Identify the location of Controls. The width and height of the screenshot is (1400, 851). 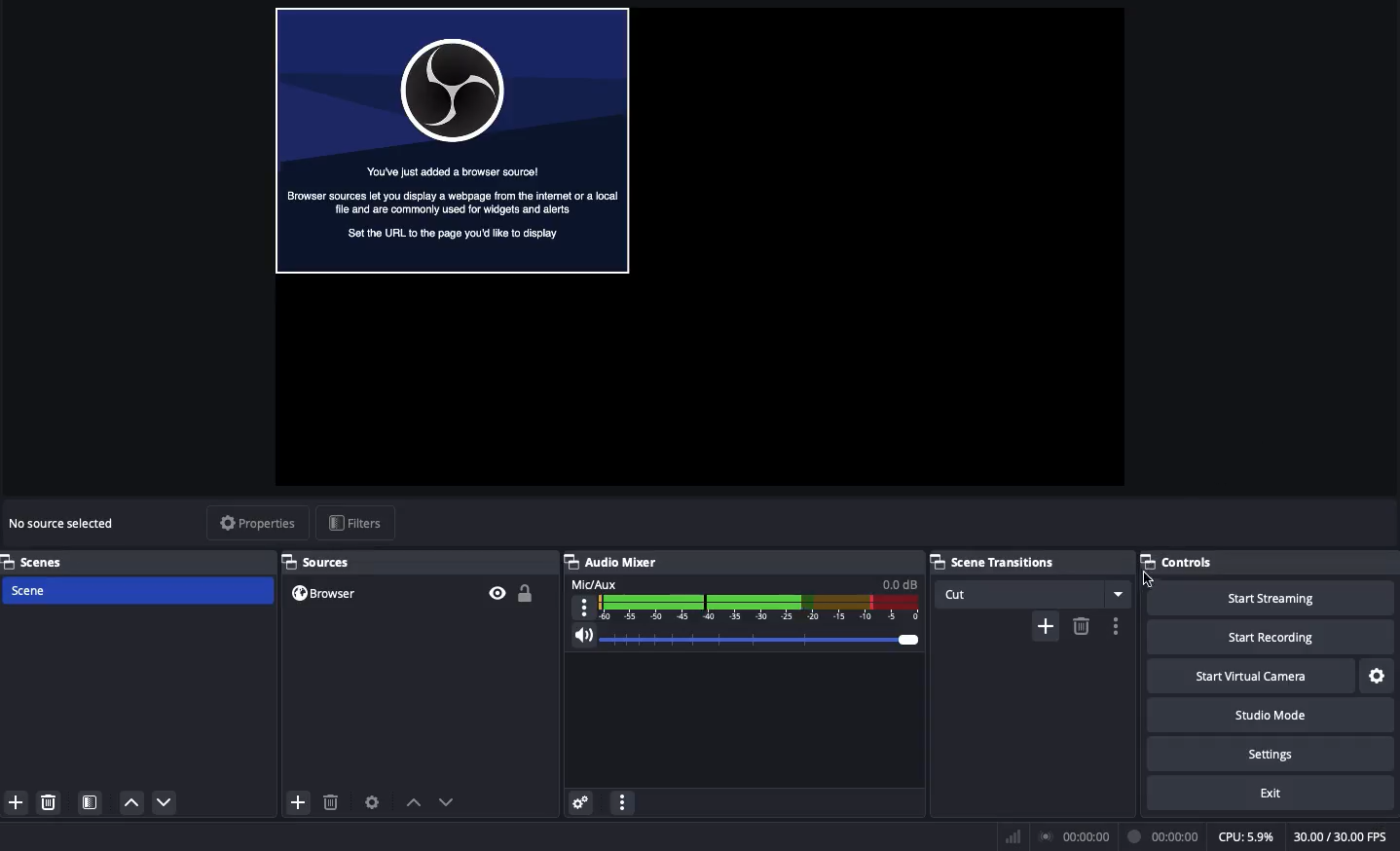
(1189, 563).